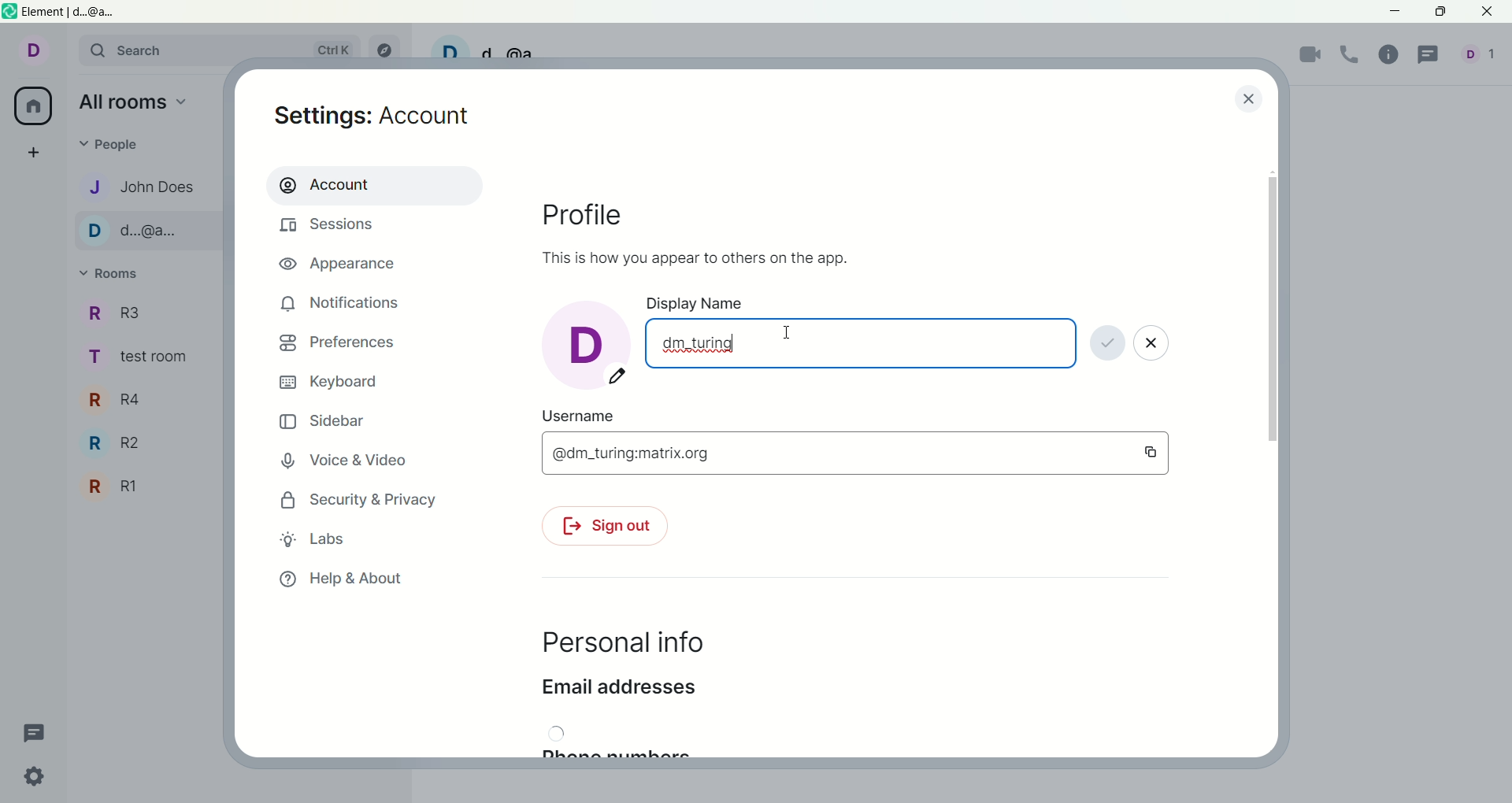  Describe the element at coordinates (333, 383) in the screenshot. I see `keyboard` at that location.